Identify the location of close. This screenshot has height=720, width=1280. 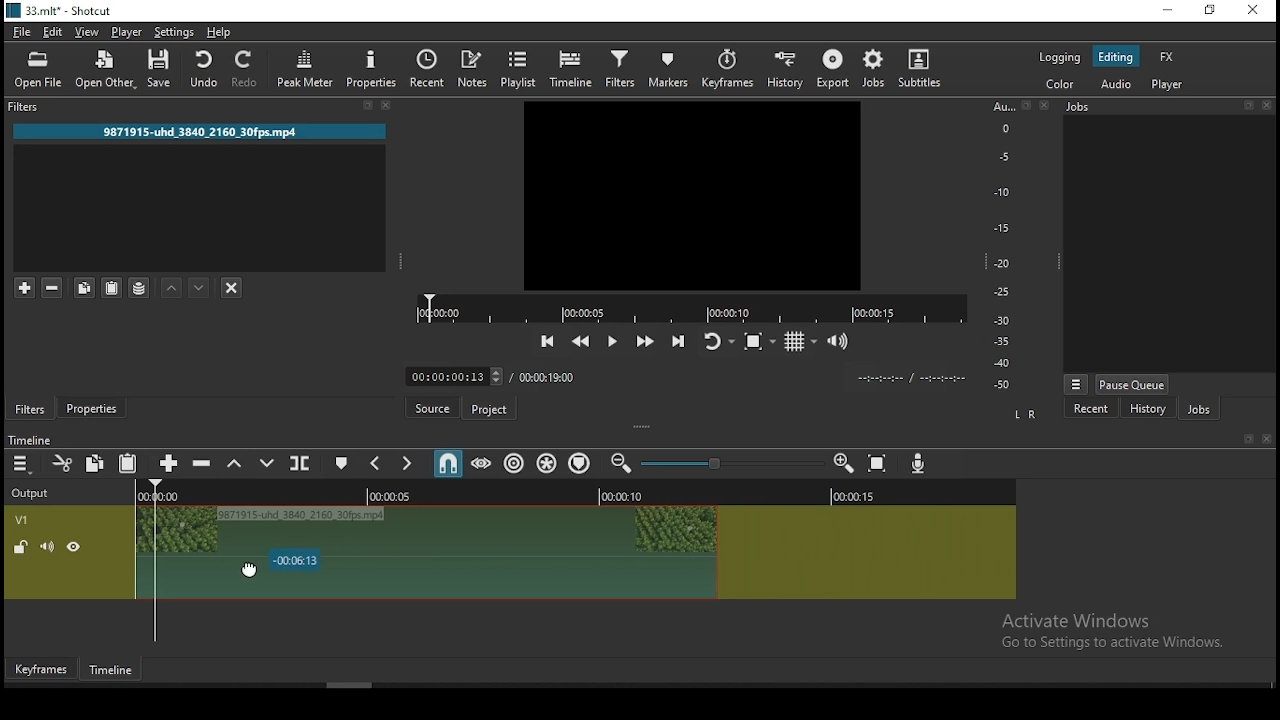
(1270, 439).